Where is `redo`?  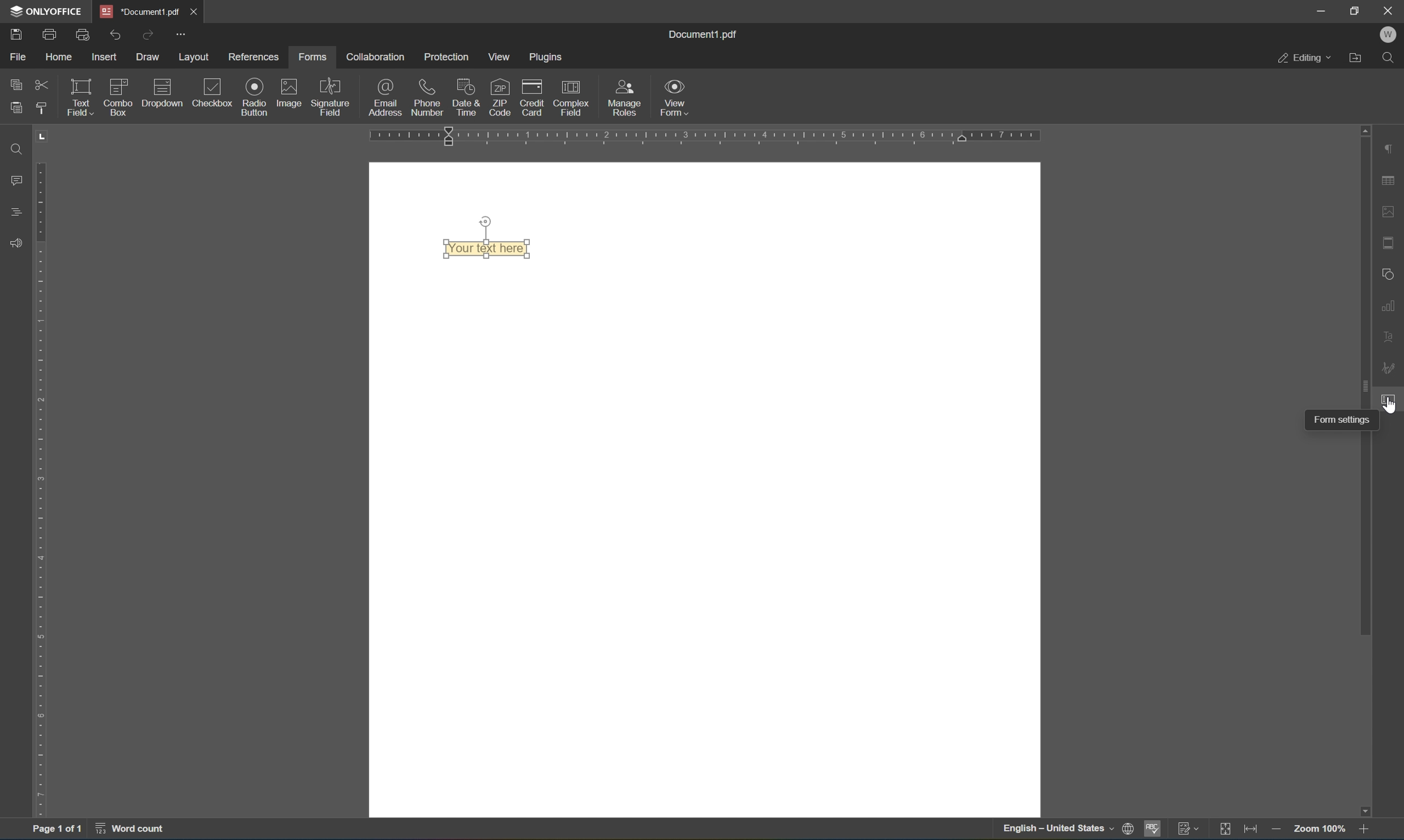
redo is located at coordinates (148, 33).